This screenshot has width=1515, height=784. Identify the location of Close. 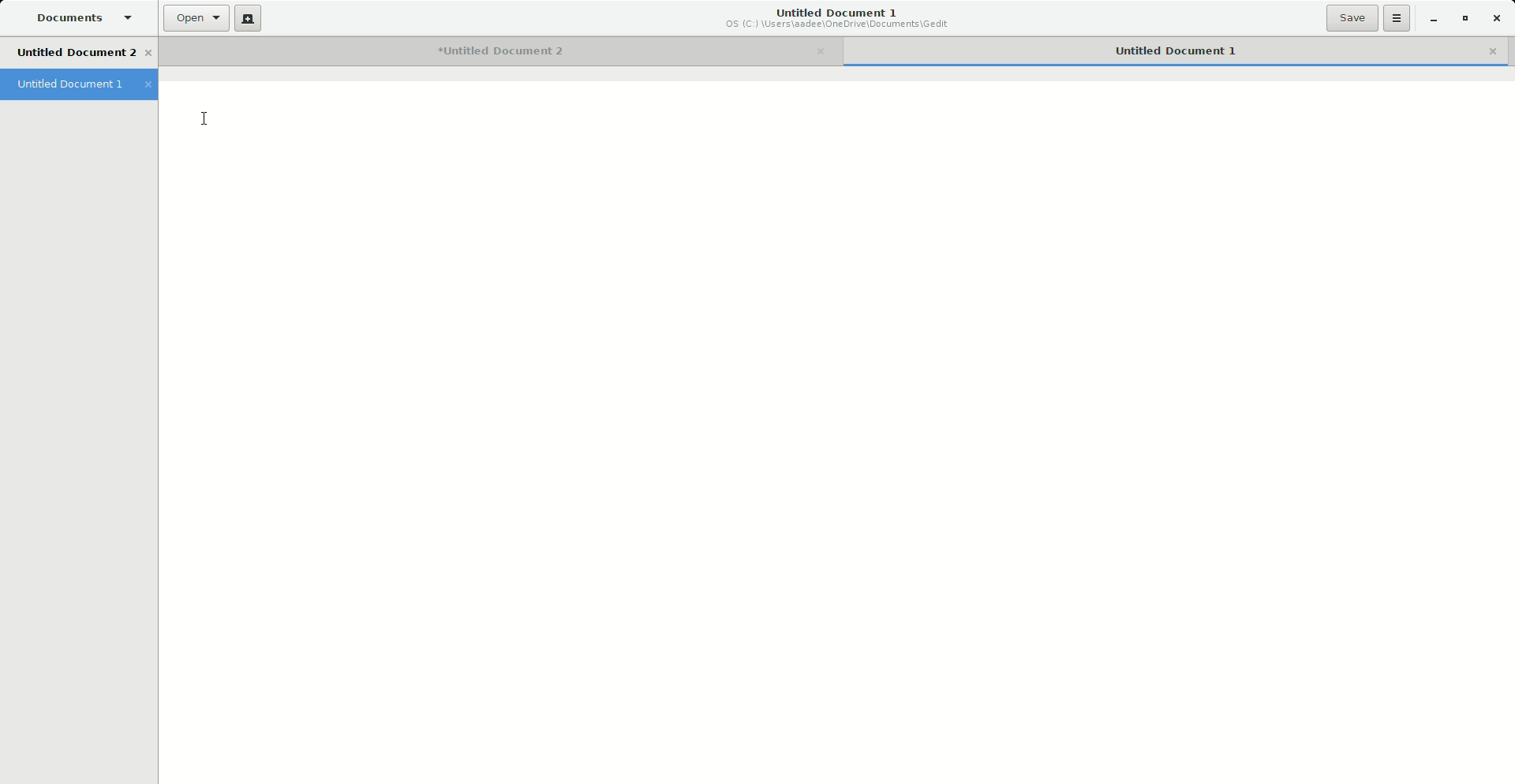
(1496, 17).